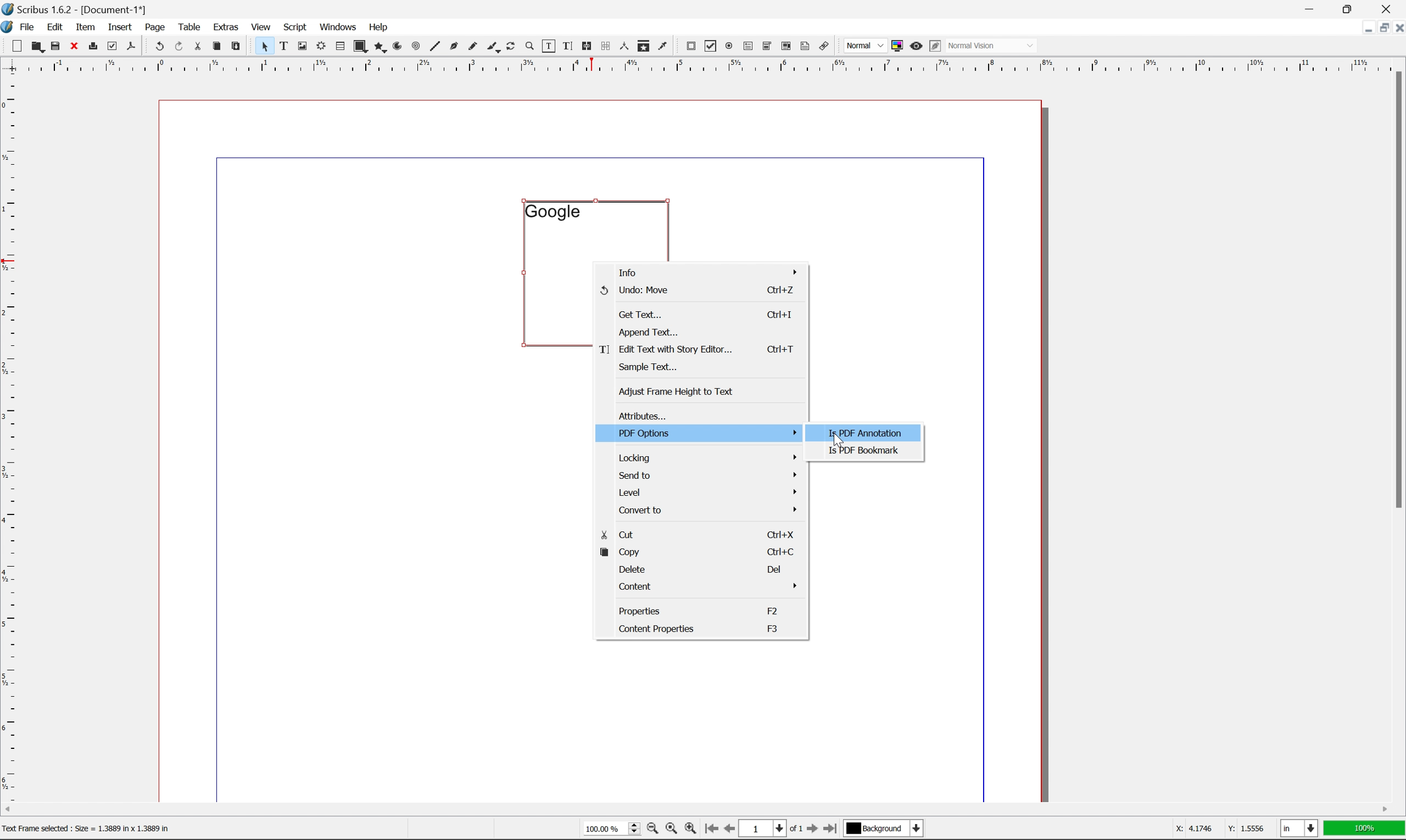  What do you see at coordinates (1212, 829) in the screenshot?
I see `coordinates` at bounding box center [1212, 829].